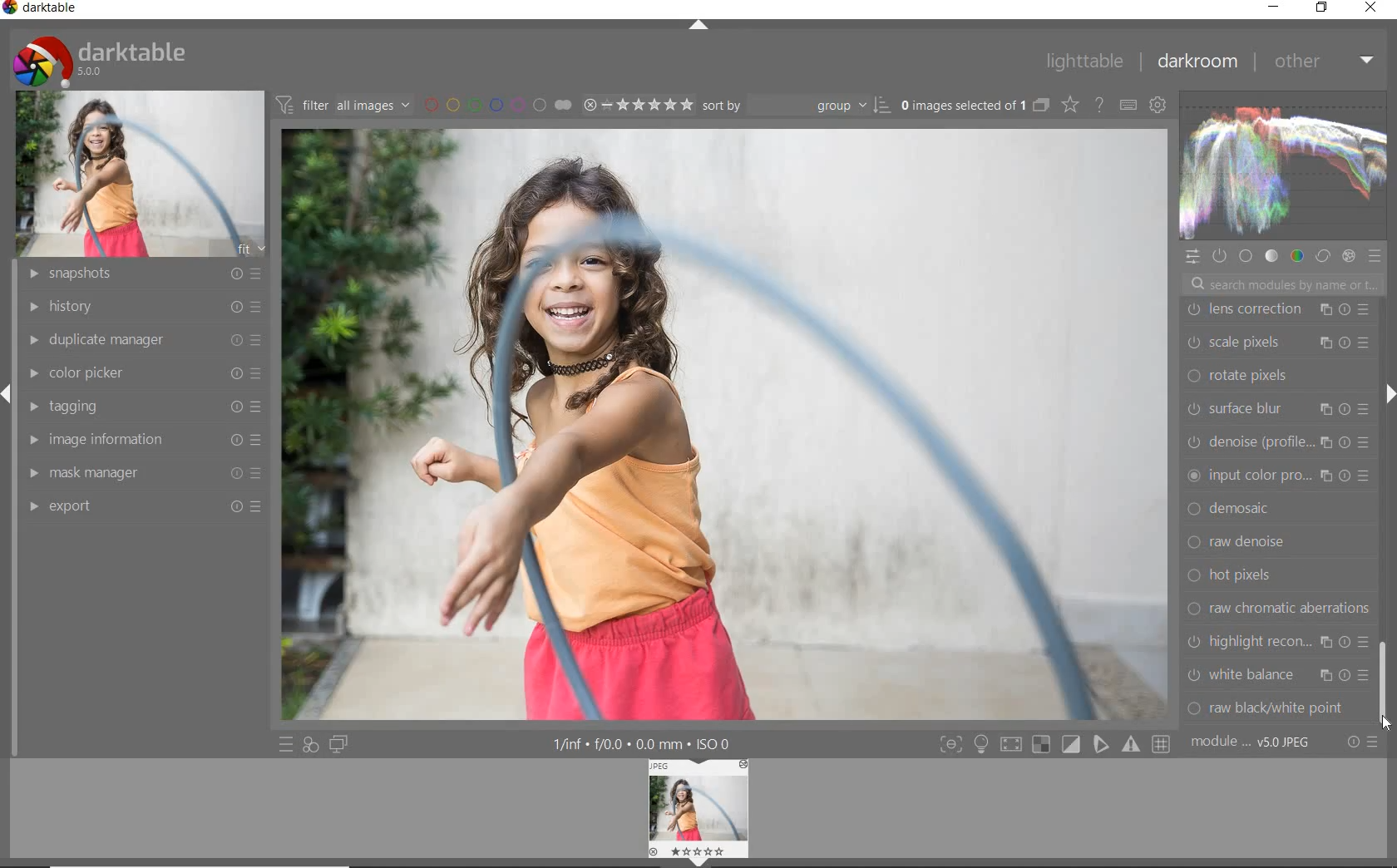 The height and width of the screenshot is (868, 1397). What do you see at coordinates (1377, 259) in the screenshot?
I see `preset` at bounding box center [1377, 259].